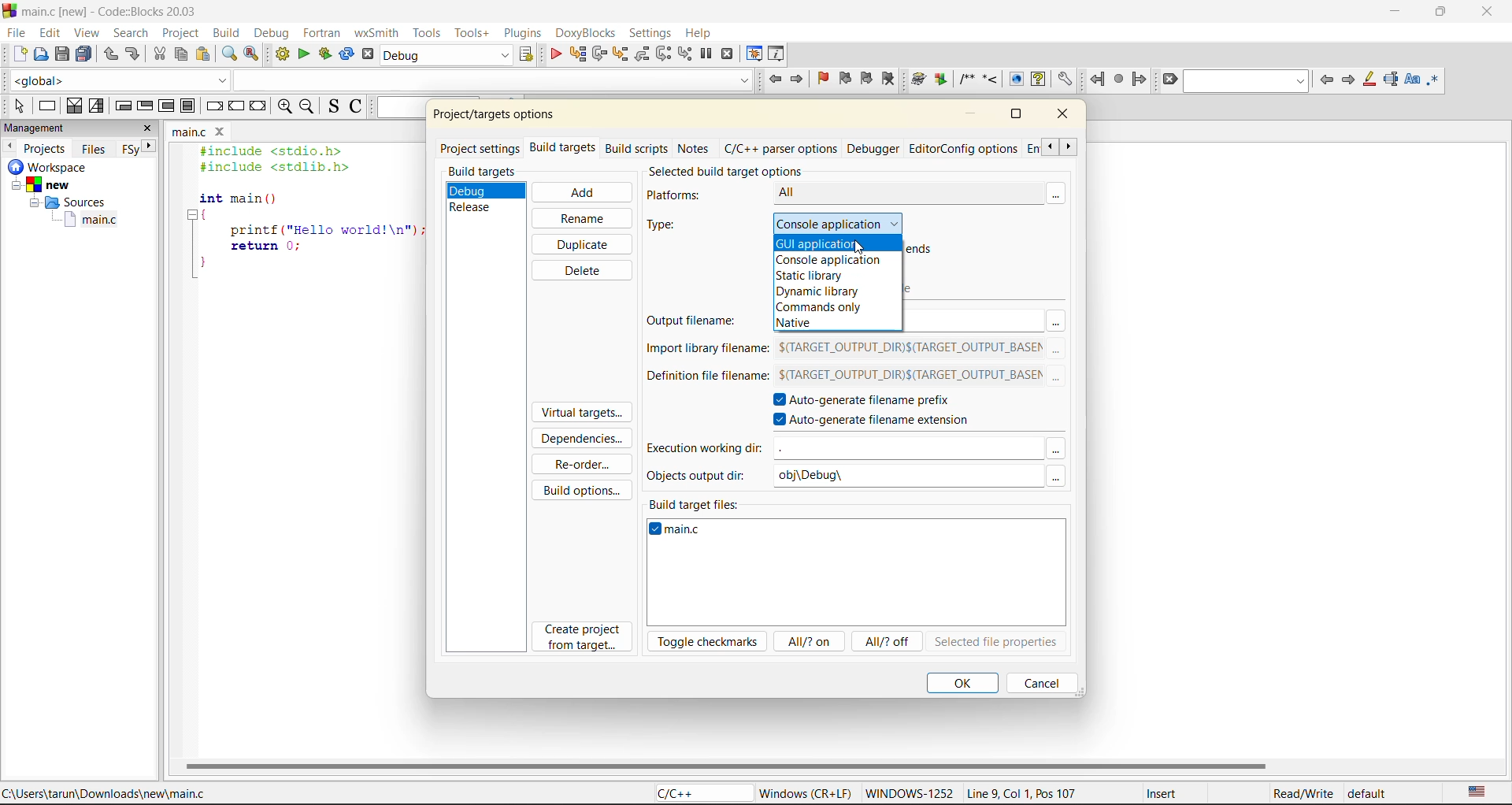  Describe the element at coordinates (322, 31) in the screenshot. I see `fortran` at that location.